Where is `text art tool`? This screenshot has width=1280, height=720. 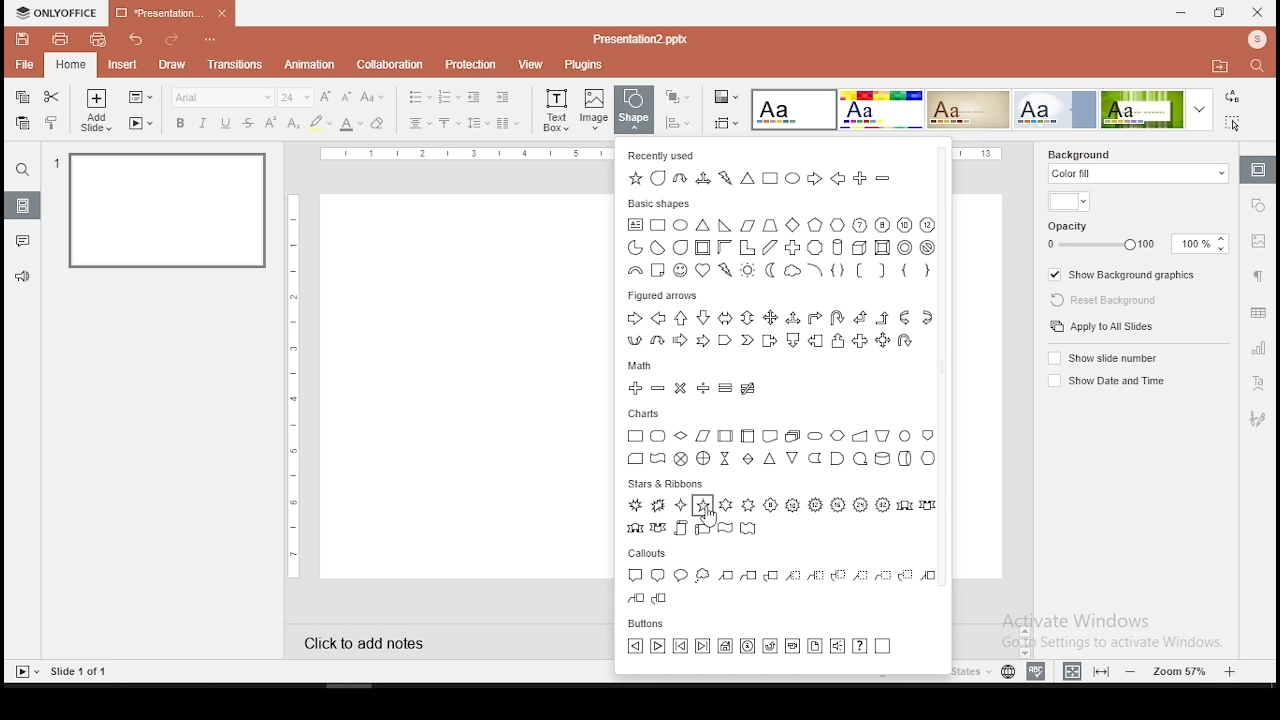
text art tool is located at coordinates (1256, 385).